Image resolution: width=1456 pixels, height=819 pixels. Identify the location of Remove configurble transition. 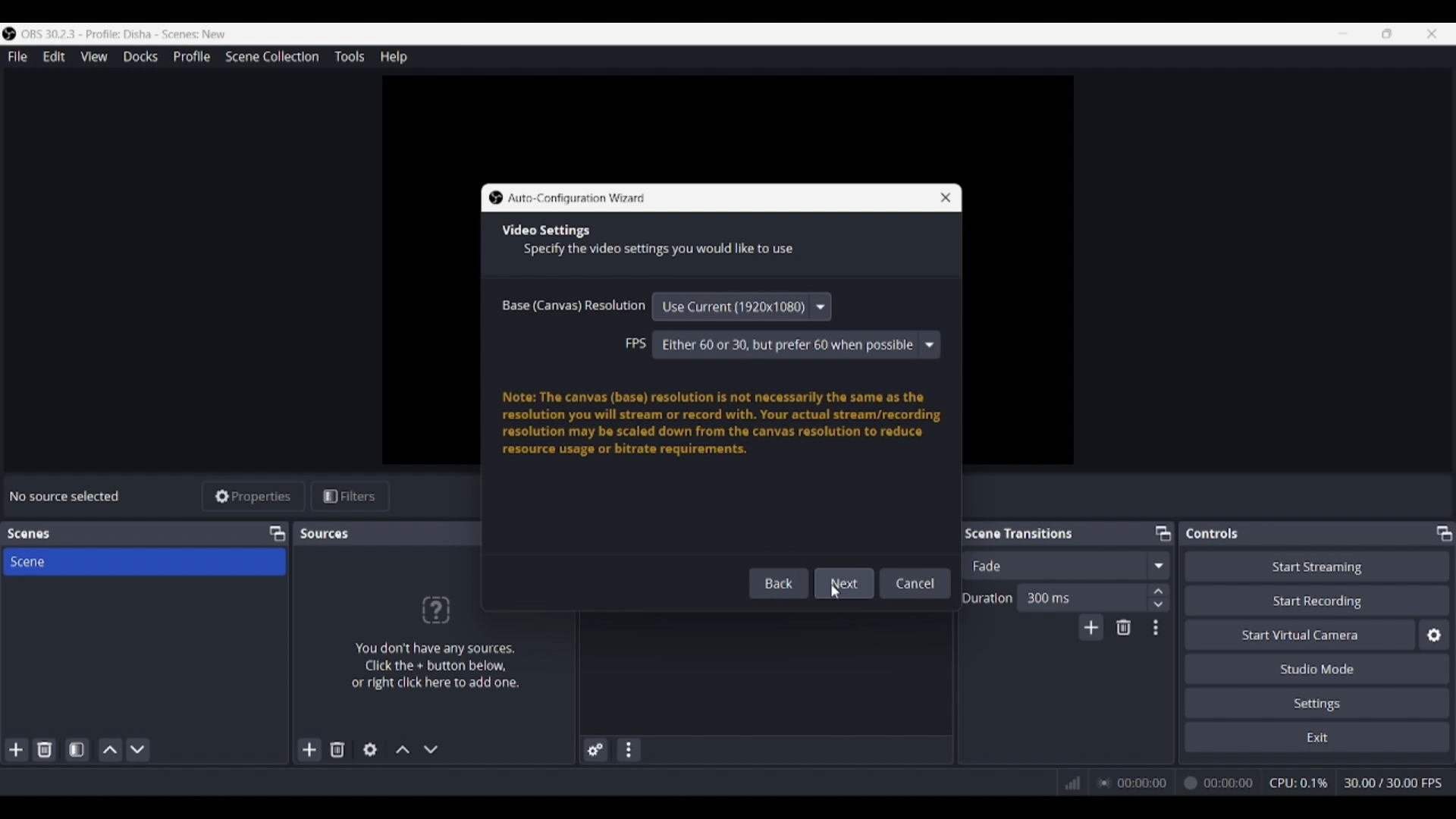
(1124, 627).